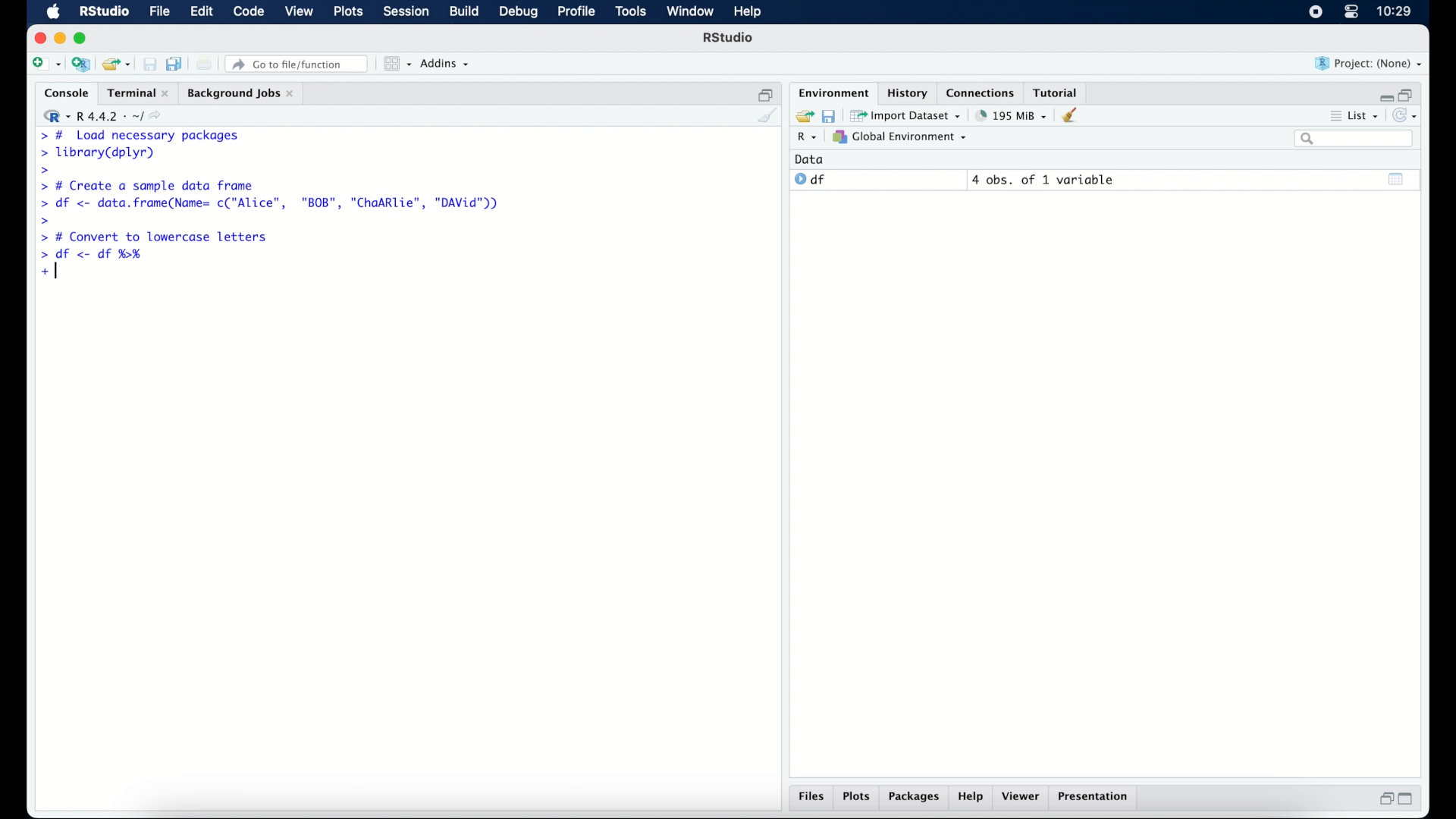 The height and width of the screenshot is (819, 1456). What do you see at coordinates (396, 64) in the screenshot?
I see `workspace panes` at bounding box center [396, 64].